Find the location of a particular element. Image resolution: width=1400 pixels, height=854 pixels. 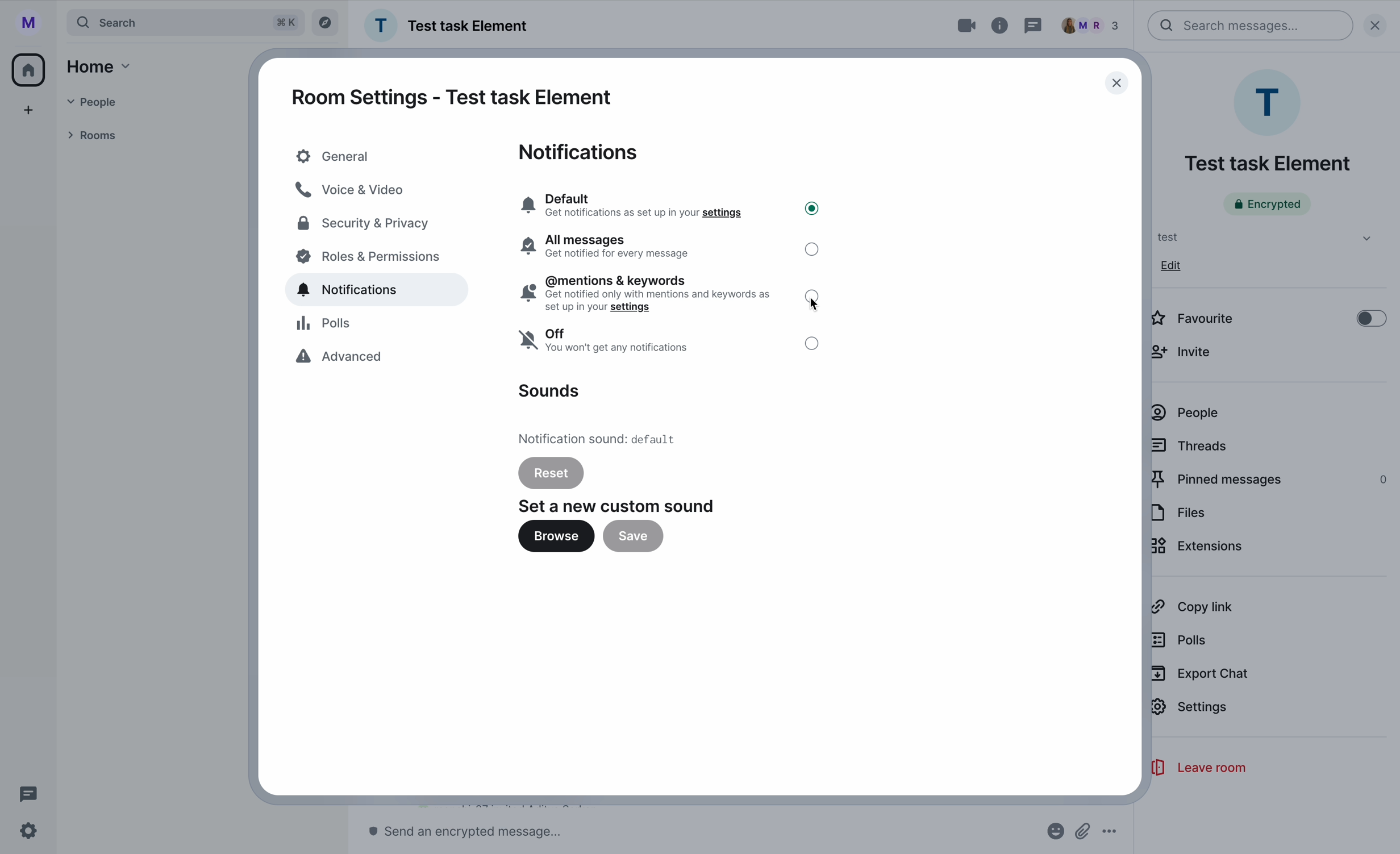

attach file is located at coordinates (1084, 831).